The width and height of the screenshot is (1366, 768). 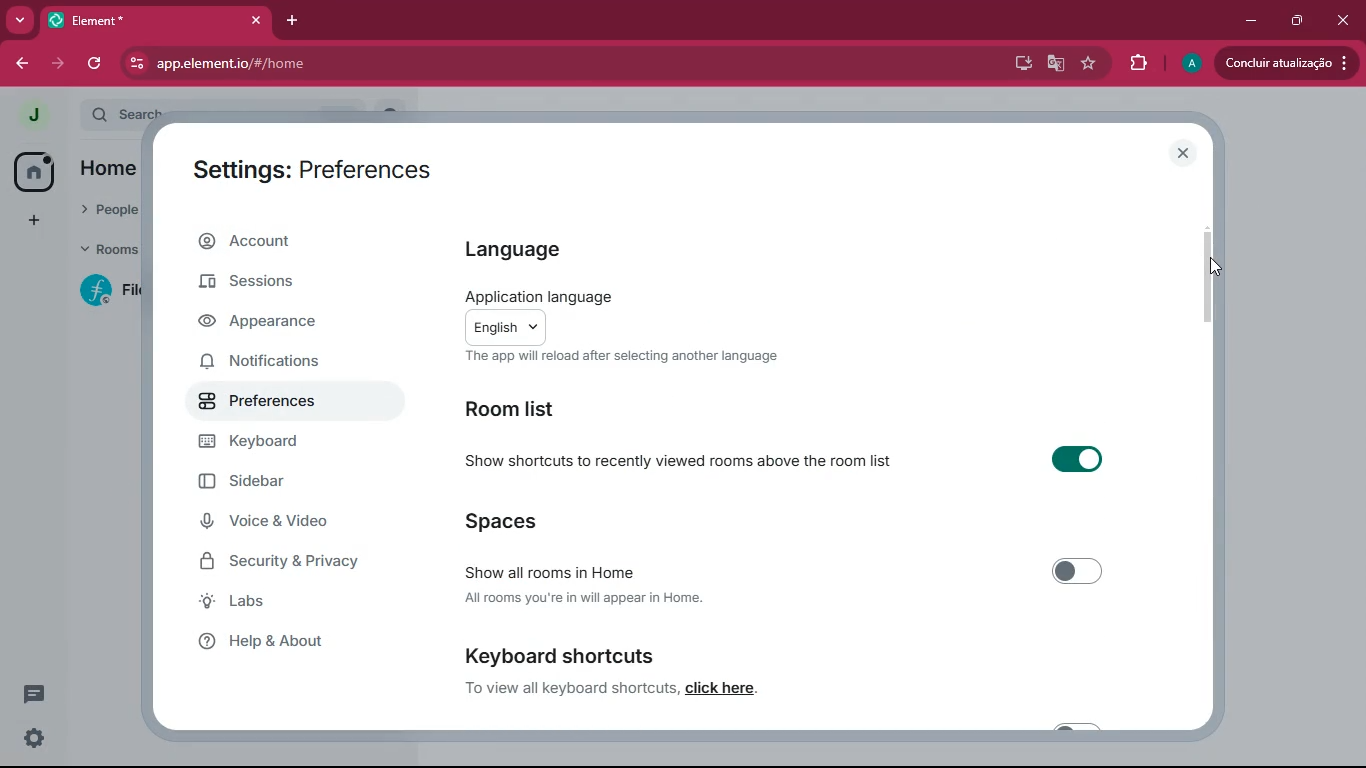 What do you see at coordinates (34, 694) in the screenshot?
I see `threads` at bounding box center [34, 694].